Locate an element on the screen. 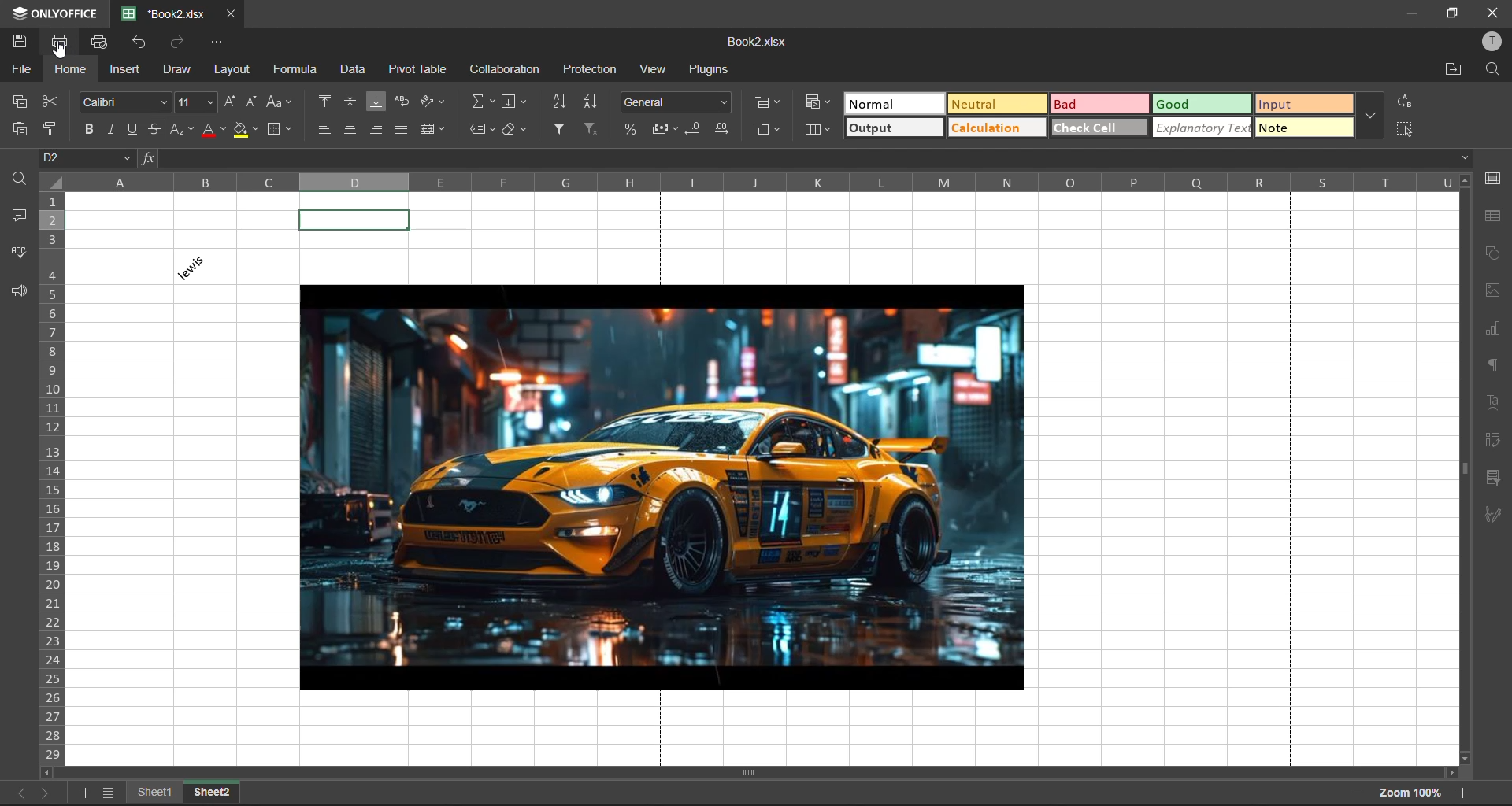 Image resolution: width=1512 pixels, height=806 pixels. number format is located at coordinates (676, 103).